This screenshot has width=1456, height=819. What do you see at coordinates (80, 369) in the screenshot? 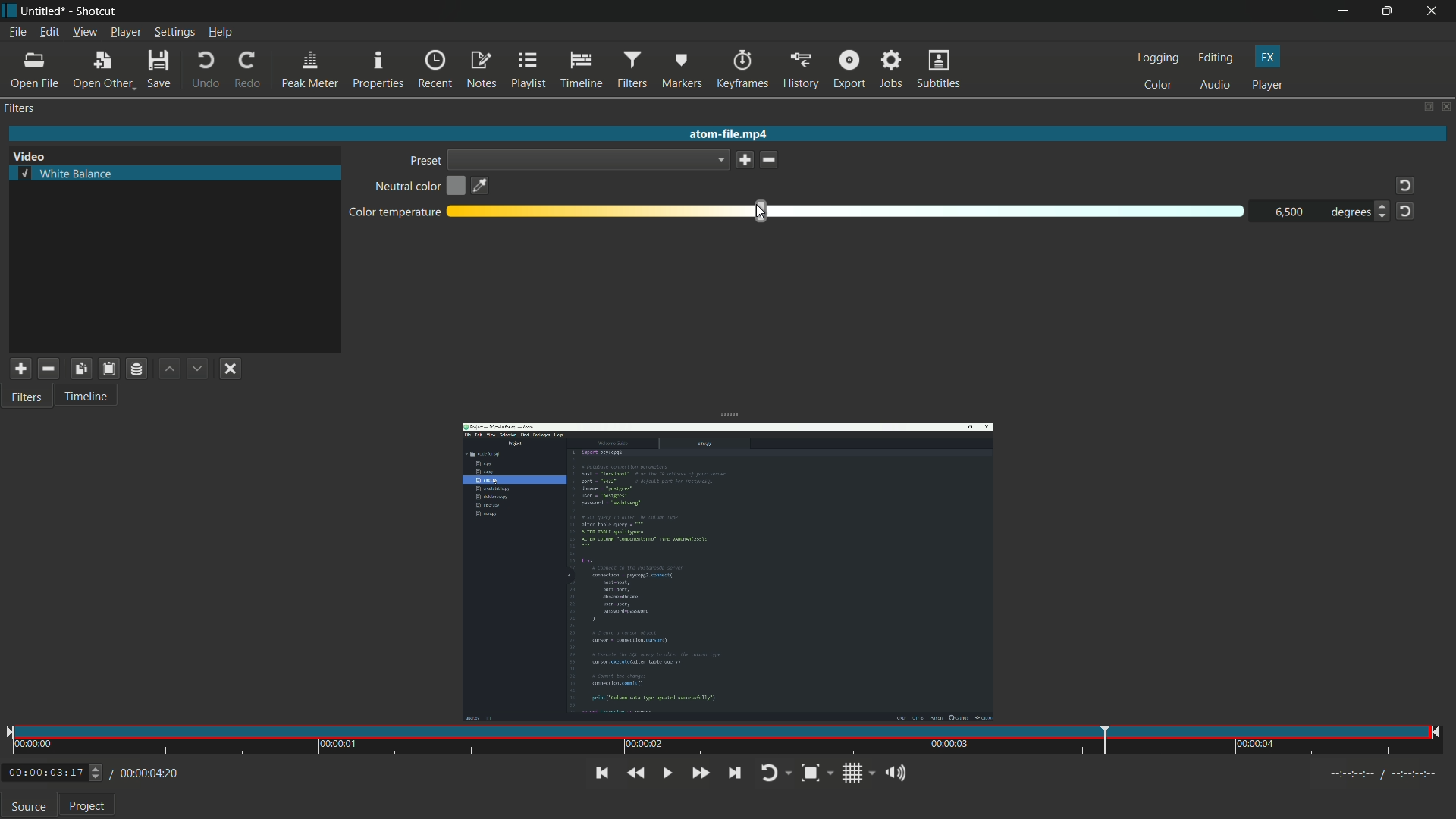
I see `copy checked filter` at bounding box center [80, 369].